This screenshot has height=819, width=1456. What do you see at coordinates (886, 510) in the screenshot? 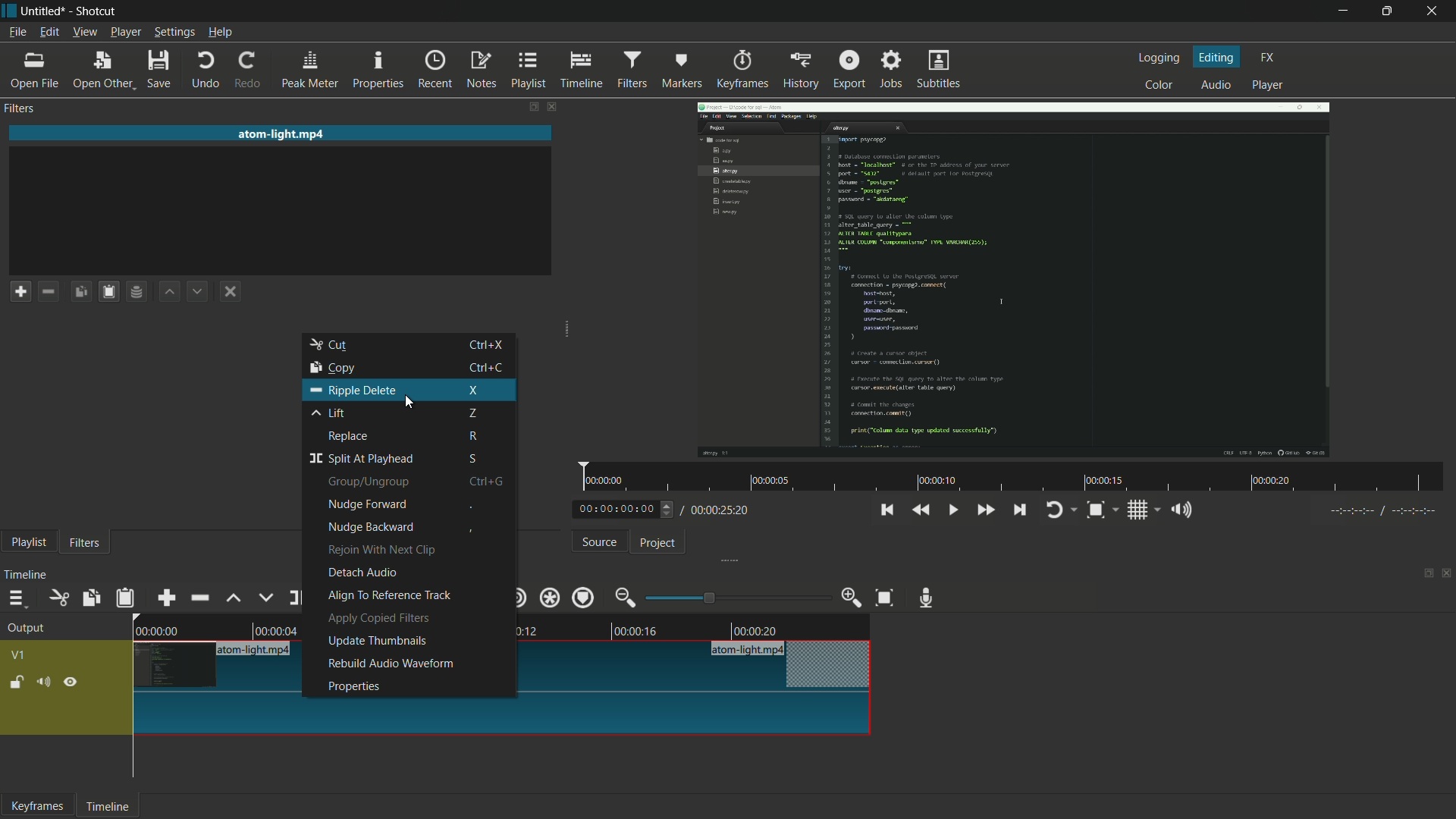
I see `skip to the previous point` at bounding box center [886, 510].